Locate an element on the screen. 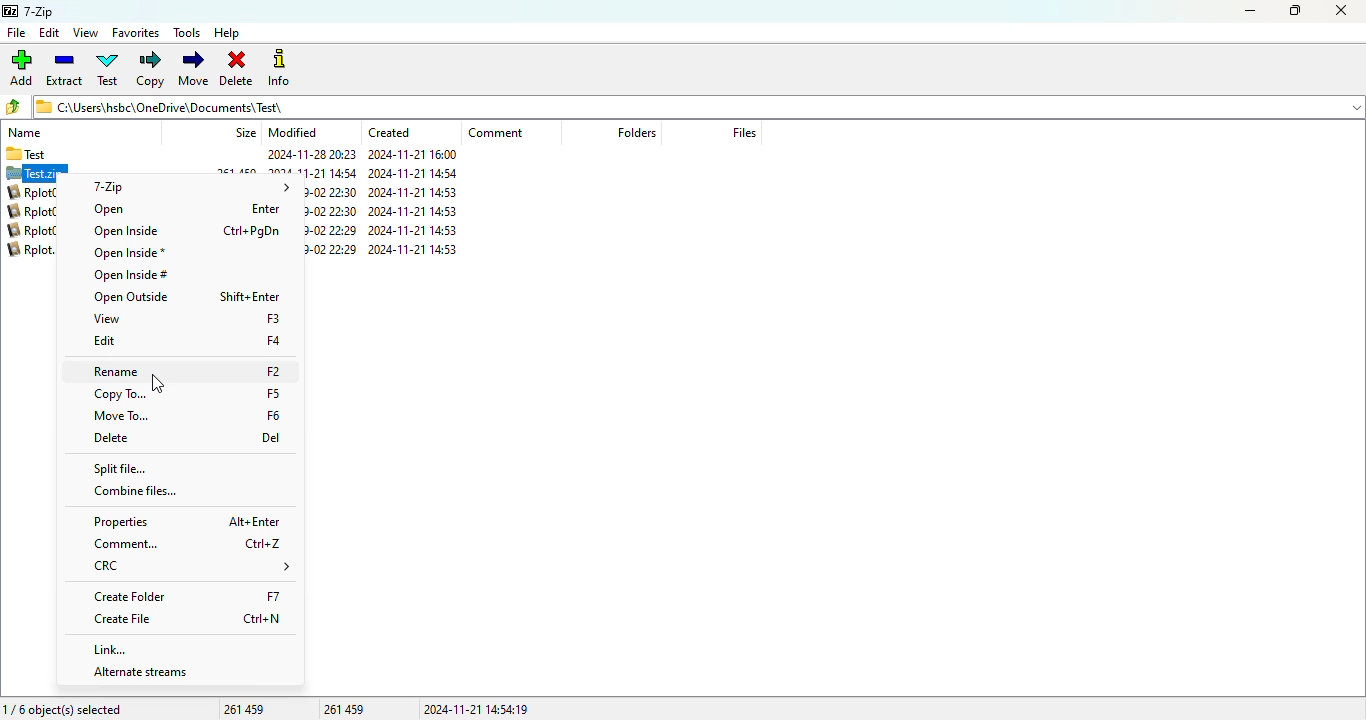  Ctrl+N is located at coordinates (262, 619).